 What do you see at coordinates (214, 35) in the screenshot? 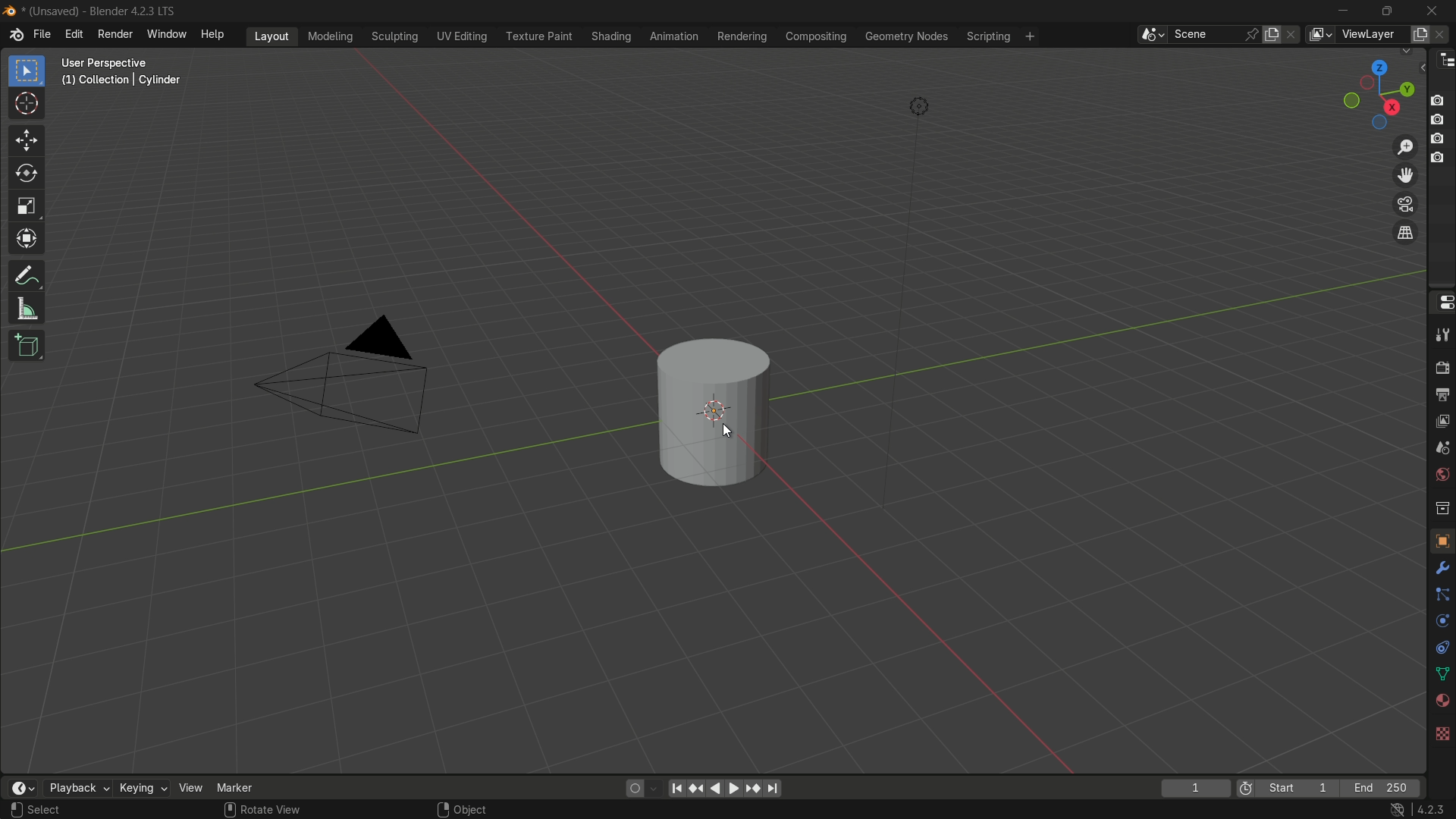
I see `help menu` at bounding box center [214, 35].